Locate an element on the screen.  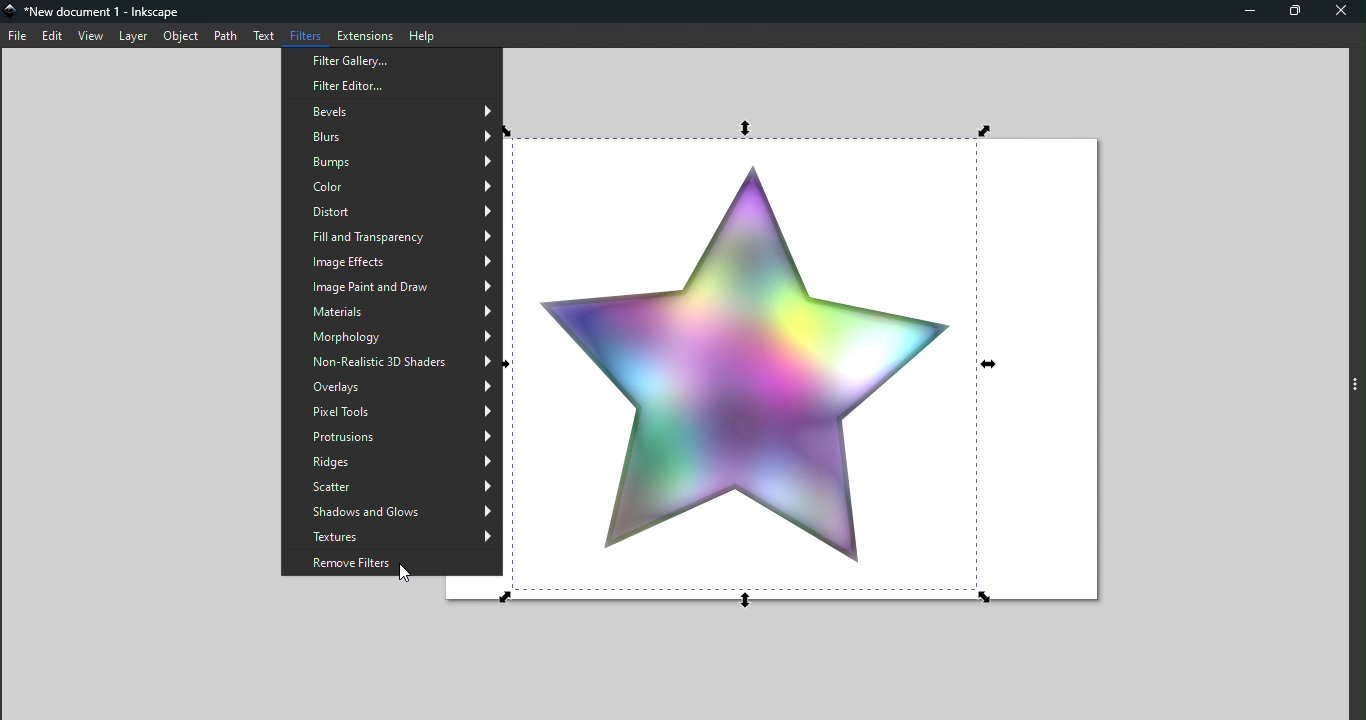
Object is located at coordinates (182, 36).